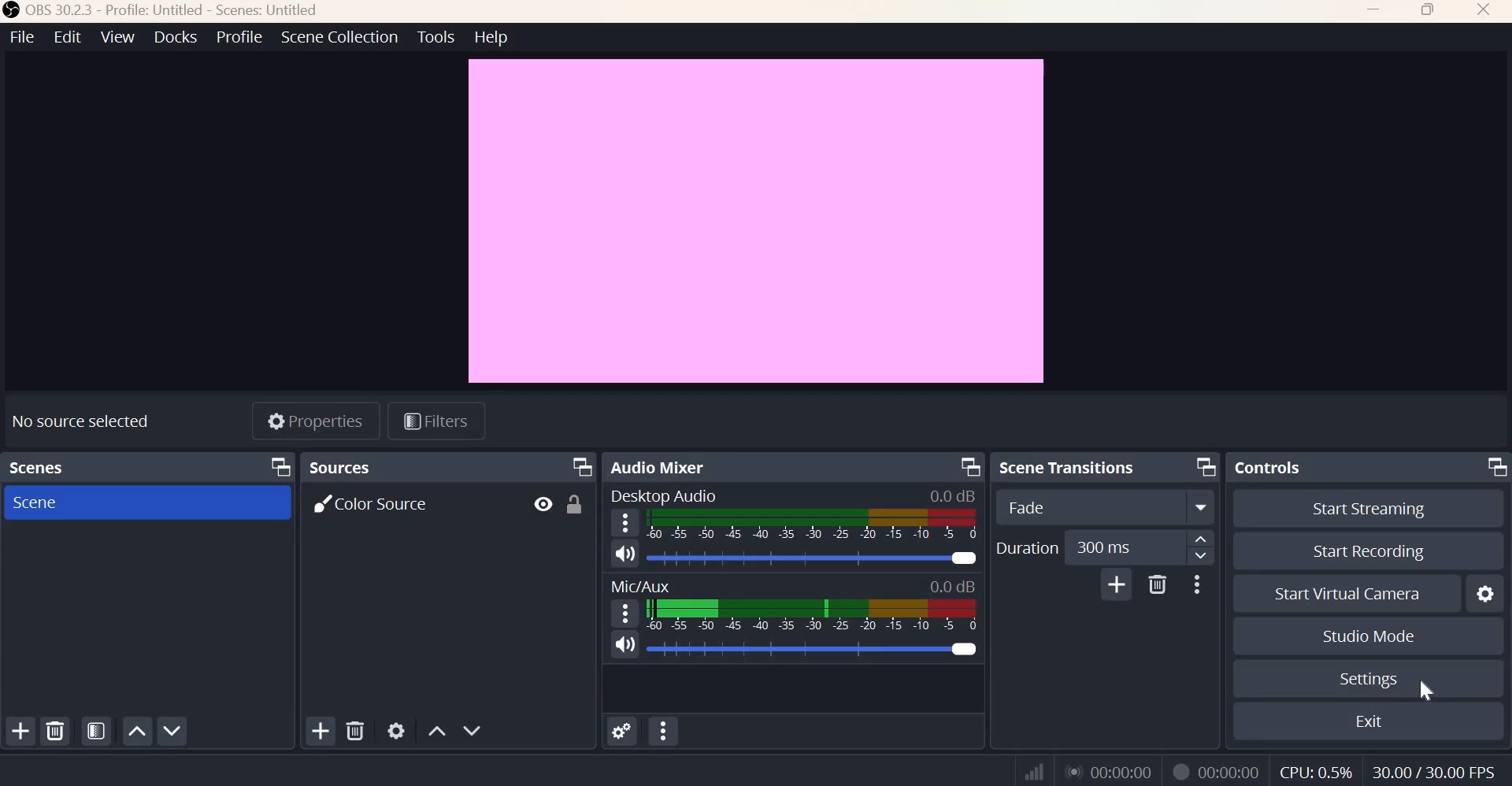  I want to click on Sources, so click(345, 468).